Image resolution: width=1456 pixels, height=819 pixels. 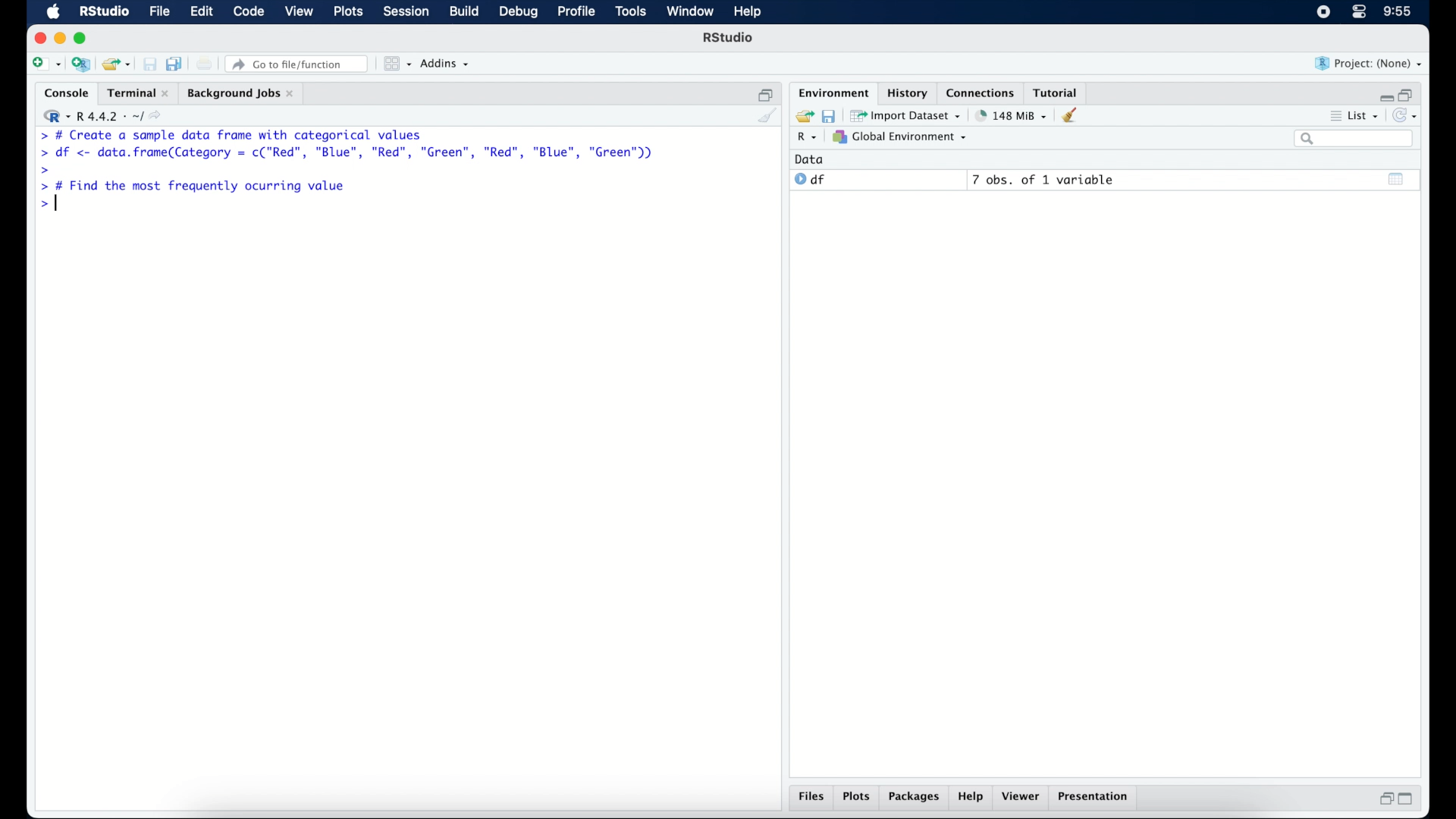 What do you see at coordinates (1398, 181) in the screenshot?
I see `show output window` at bounding box center [1398, 181].